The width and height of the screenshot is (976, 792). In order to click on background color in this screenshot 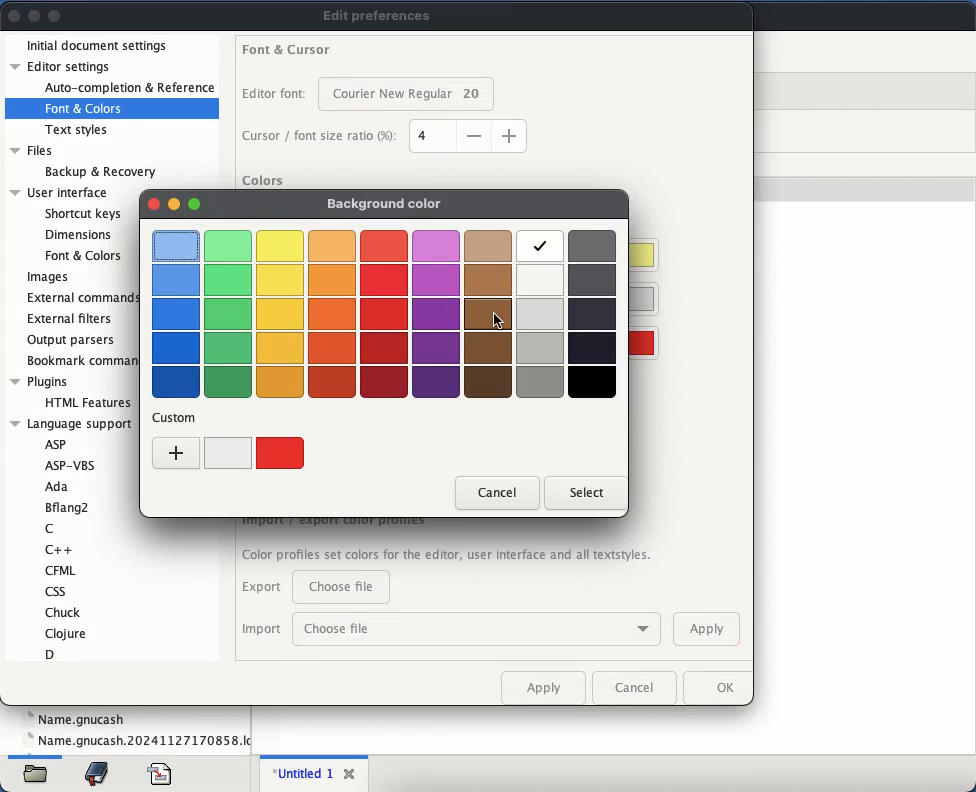, I will do `click(385, 207)`.